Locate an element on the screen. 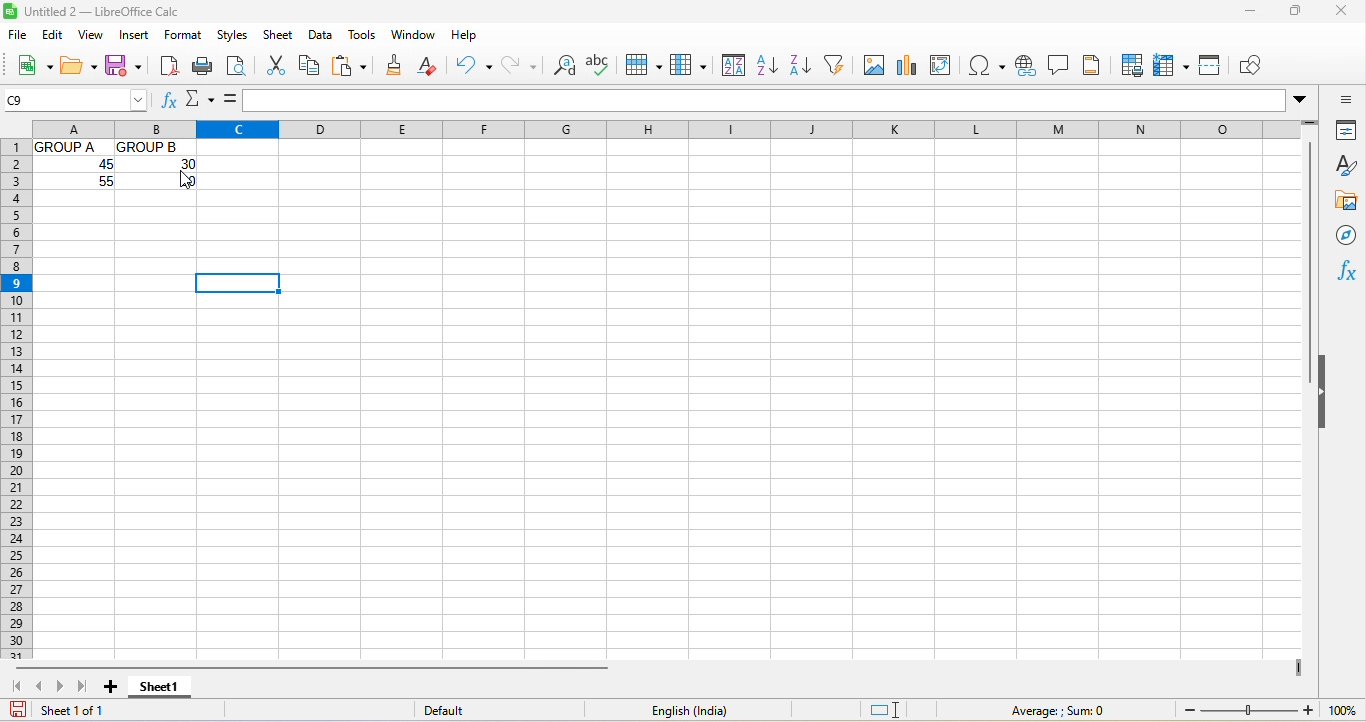  hypelink is located at coordinates (1028, 65).